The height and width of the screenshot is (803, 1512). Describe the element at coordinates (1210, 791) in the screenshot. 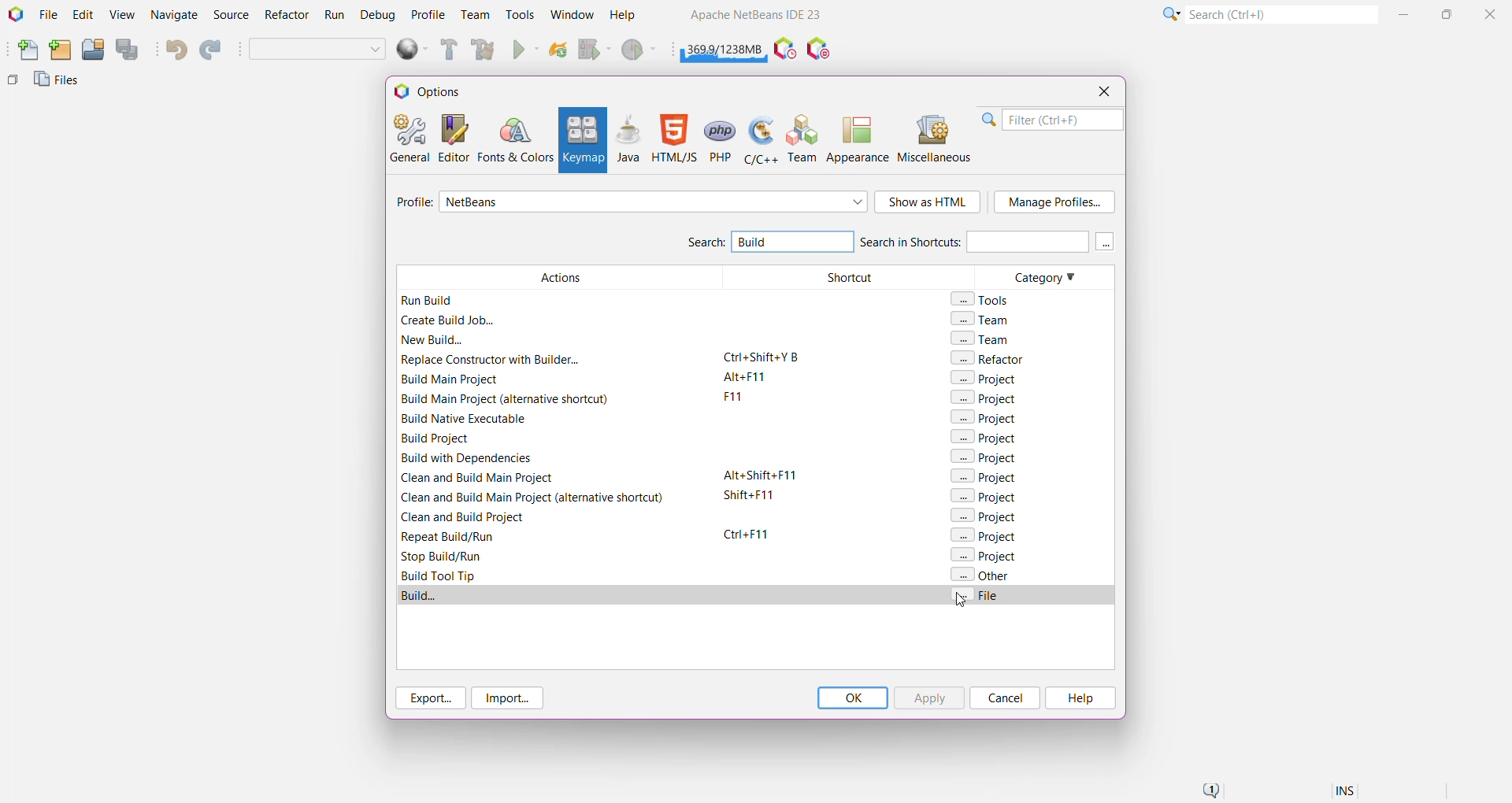

I see `Notifications` at that location.